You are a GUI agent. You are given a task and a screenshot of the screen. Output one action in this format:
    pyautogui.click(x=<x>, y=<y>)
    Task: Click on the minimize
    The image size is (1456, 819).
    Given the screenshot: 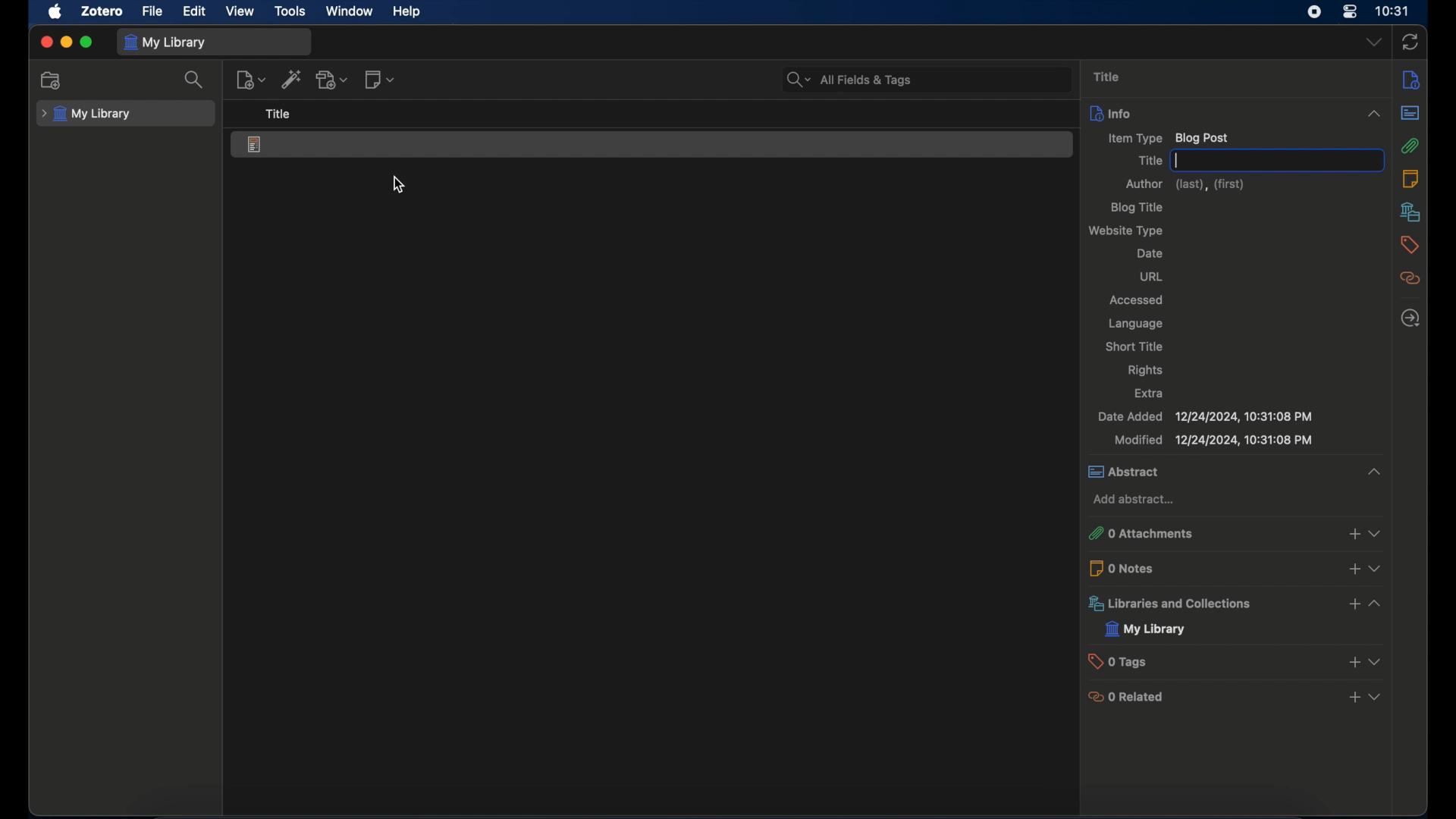 What is the action you would take?
    pyautogui.click(x=65, y=43)
    